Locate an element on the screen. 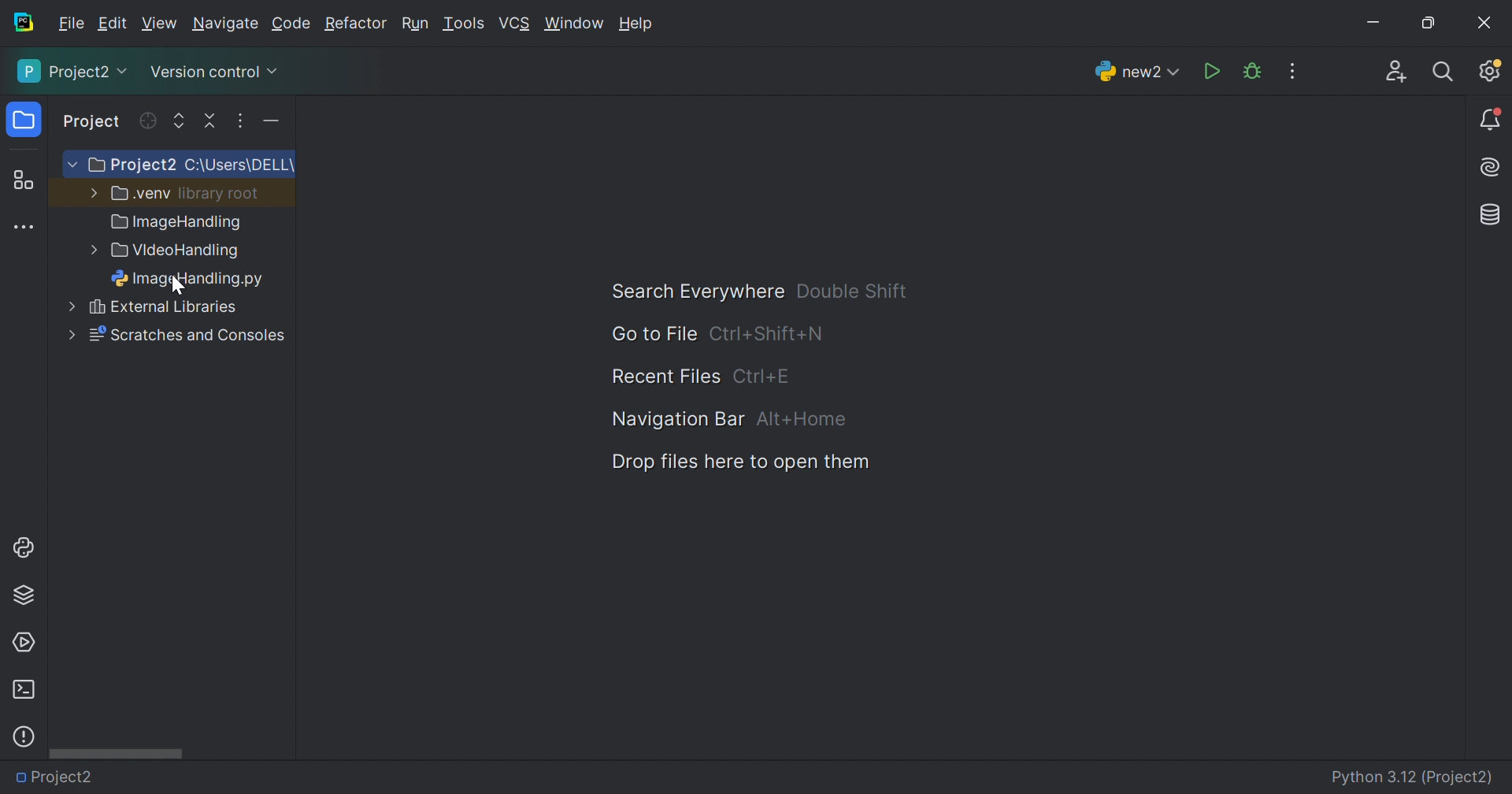  More Actions is located at coordinates (1292, 71).